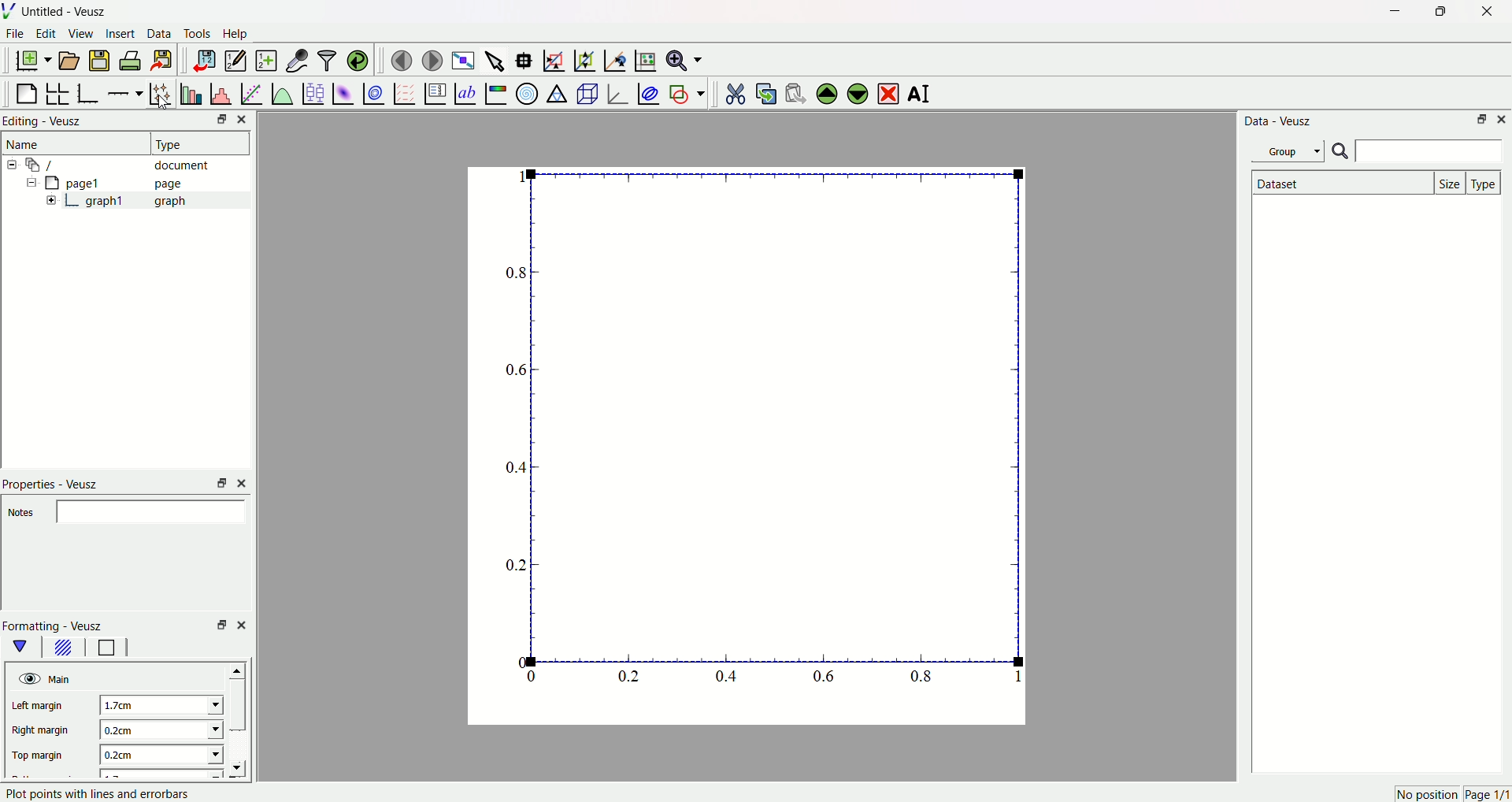 Image resolution: width=1512 pixels, height=802 pixels. Describe the element at coordinates (527, 91) in the screenshot. I see `polar graphs` at that location.